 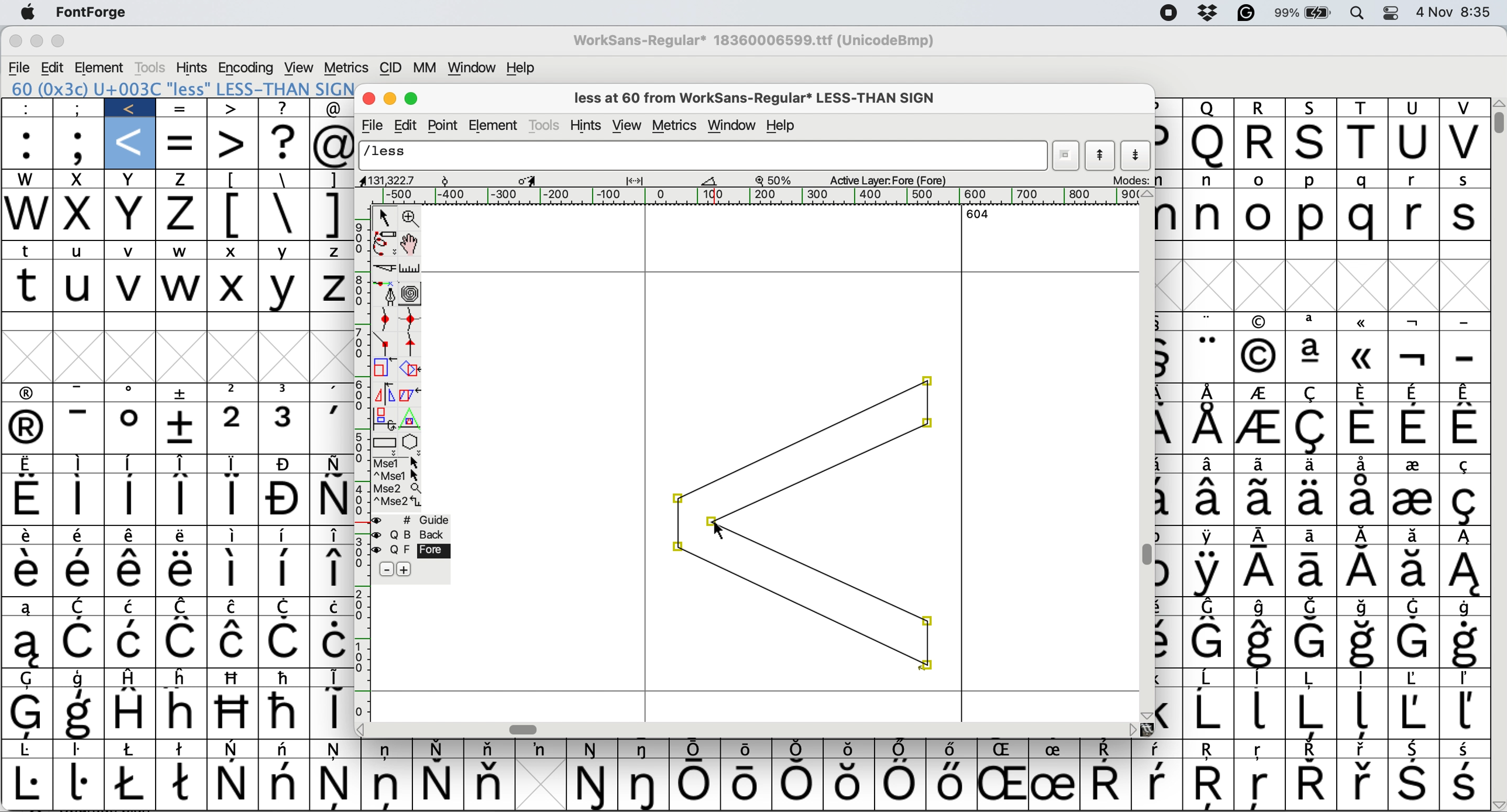 What do you see at coordinates (1363, 393) in the screenshot?
I see `Symbol` at bounding box center [1363, 393].